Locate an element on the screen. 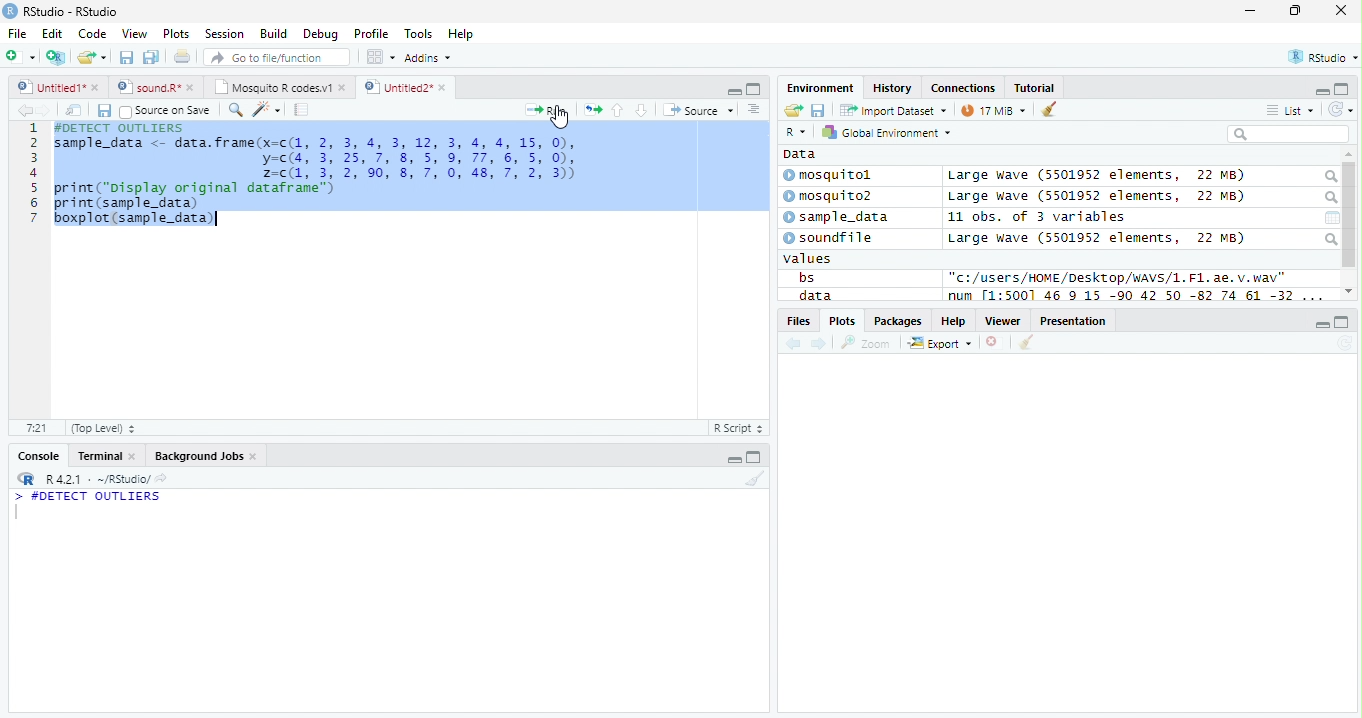 This screenshot has height=718, width=1362. Compile report is located at coordinates (302, 110).